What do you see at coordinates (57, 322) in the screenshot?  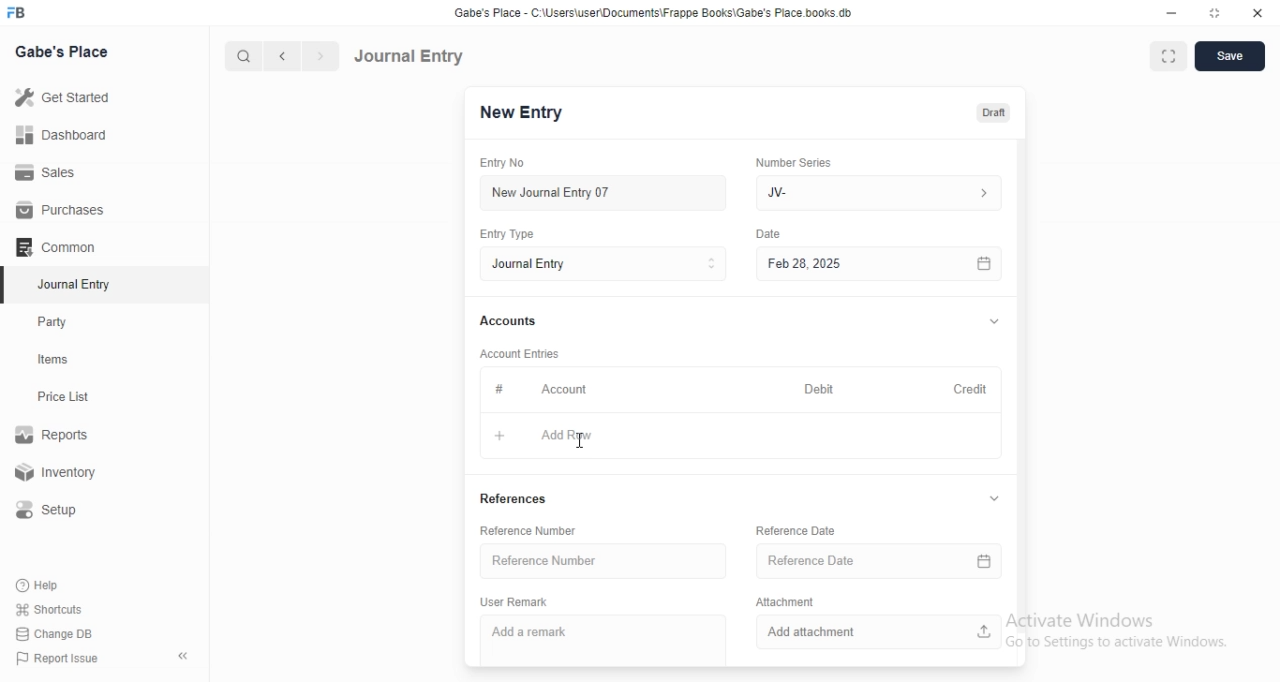 I see `Party` at bounding box center [57, 322].